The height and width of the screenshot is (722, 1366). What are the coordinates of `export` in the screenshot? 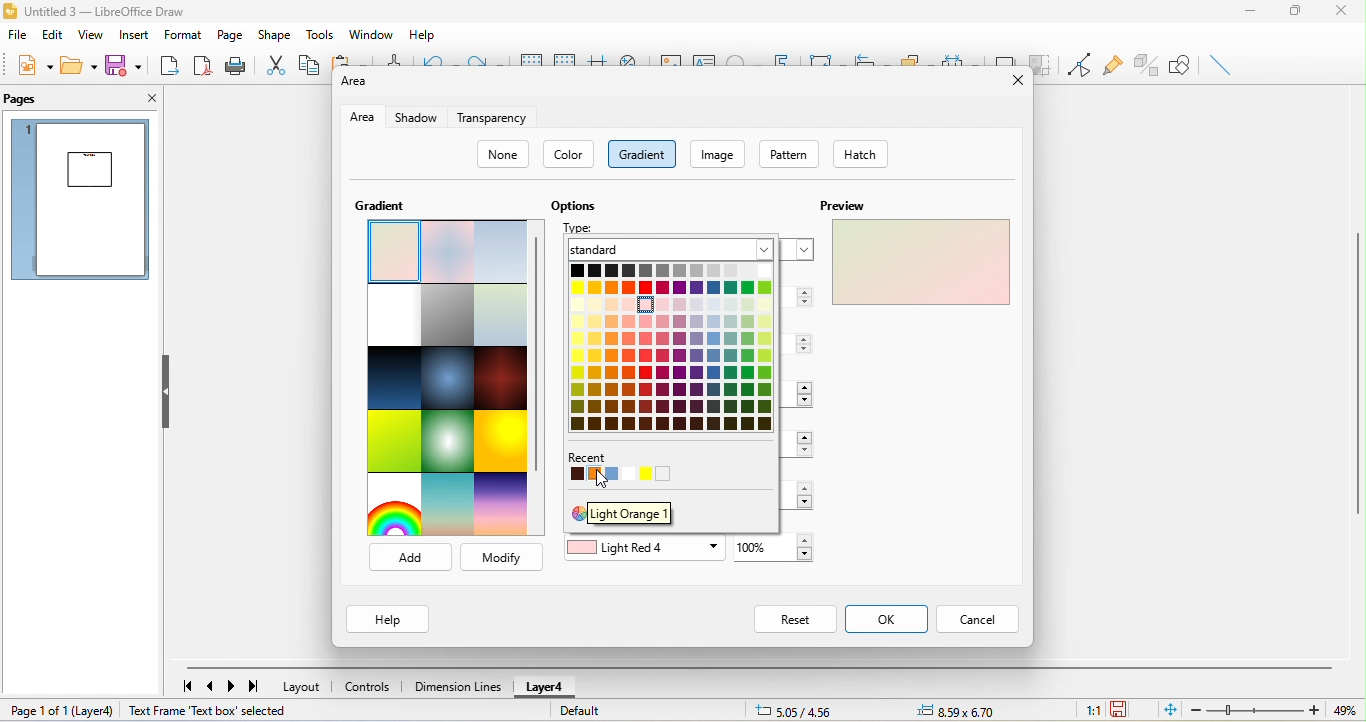 It's located at (170, 65).